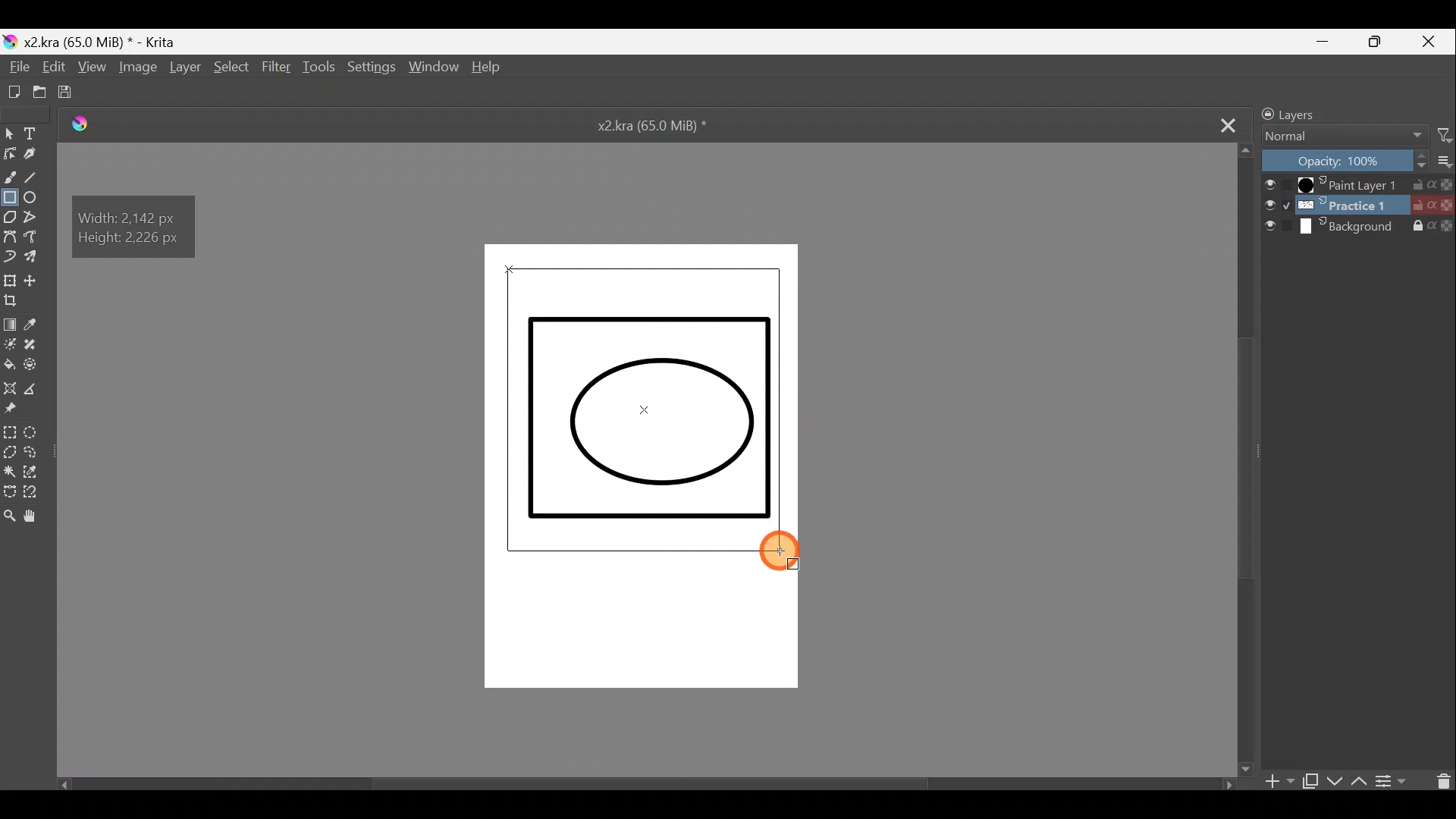 The image size is (1456, 819). I want to click on Ellipse tool, so click(36, 200).